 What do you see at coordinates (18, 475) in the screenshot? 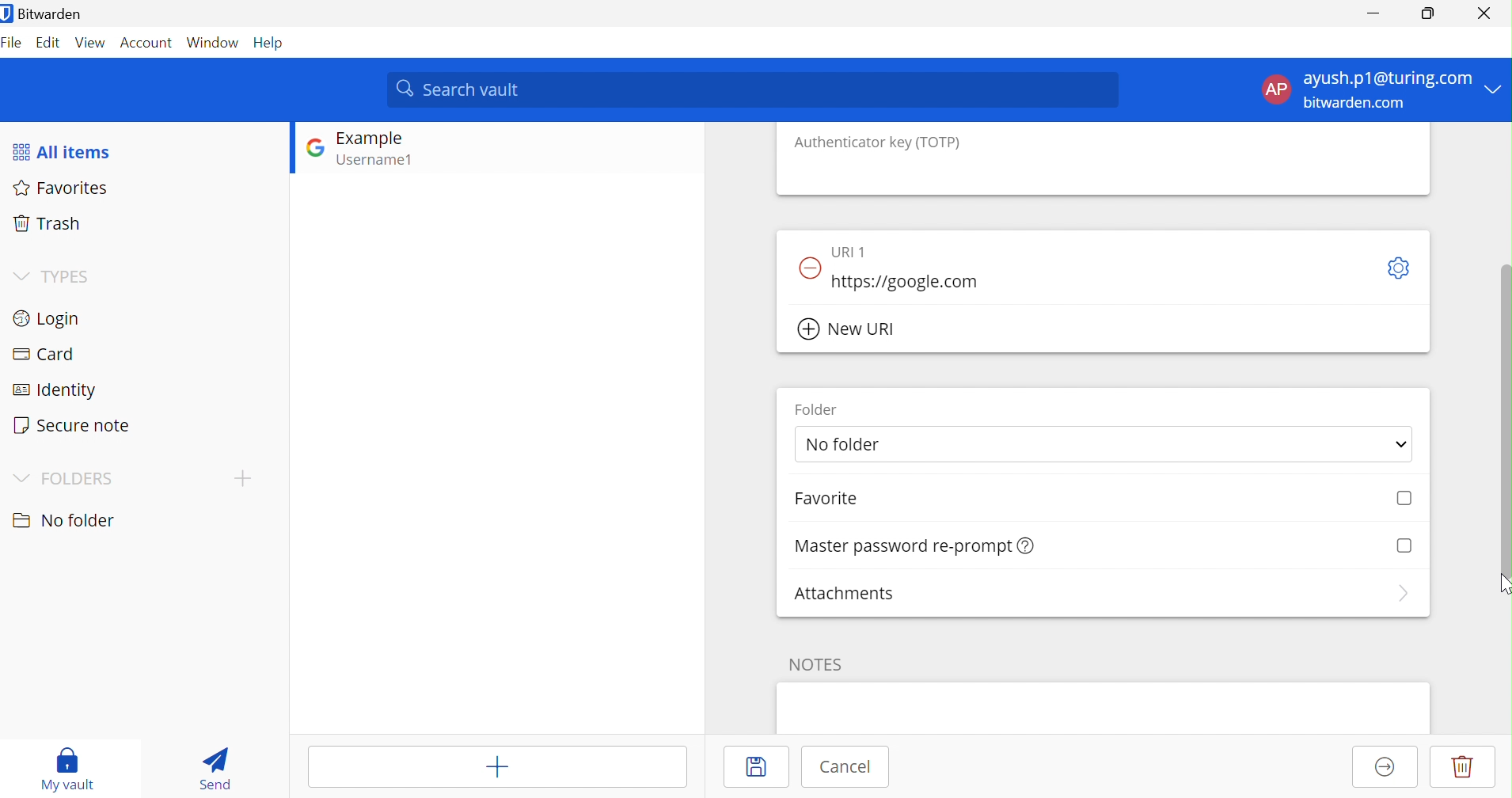
I see `Drop Down` at bounding box center [18, 475].